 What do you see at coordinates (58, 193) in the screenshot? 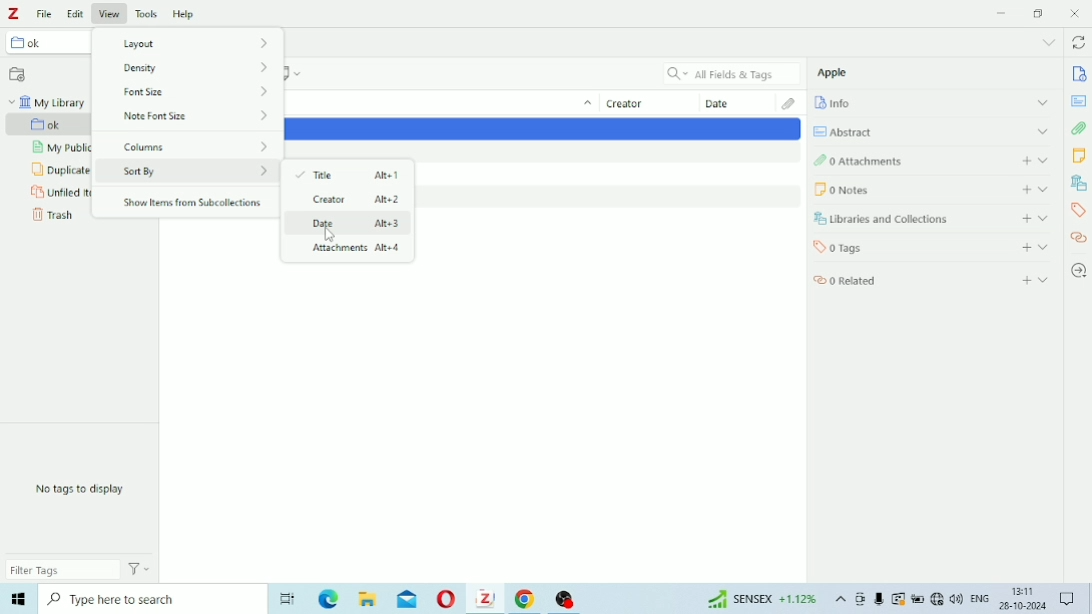
I see `Unfiled items.` at bounding box center [58, 193].